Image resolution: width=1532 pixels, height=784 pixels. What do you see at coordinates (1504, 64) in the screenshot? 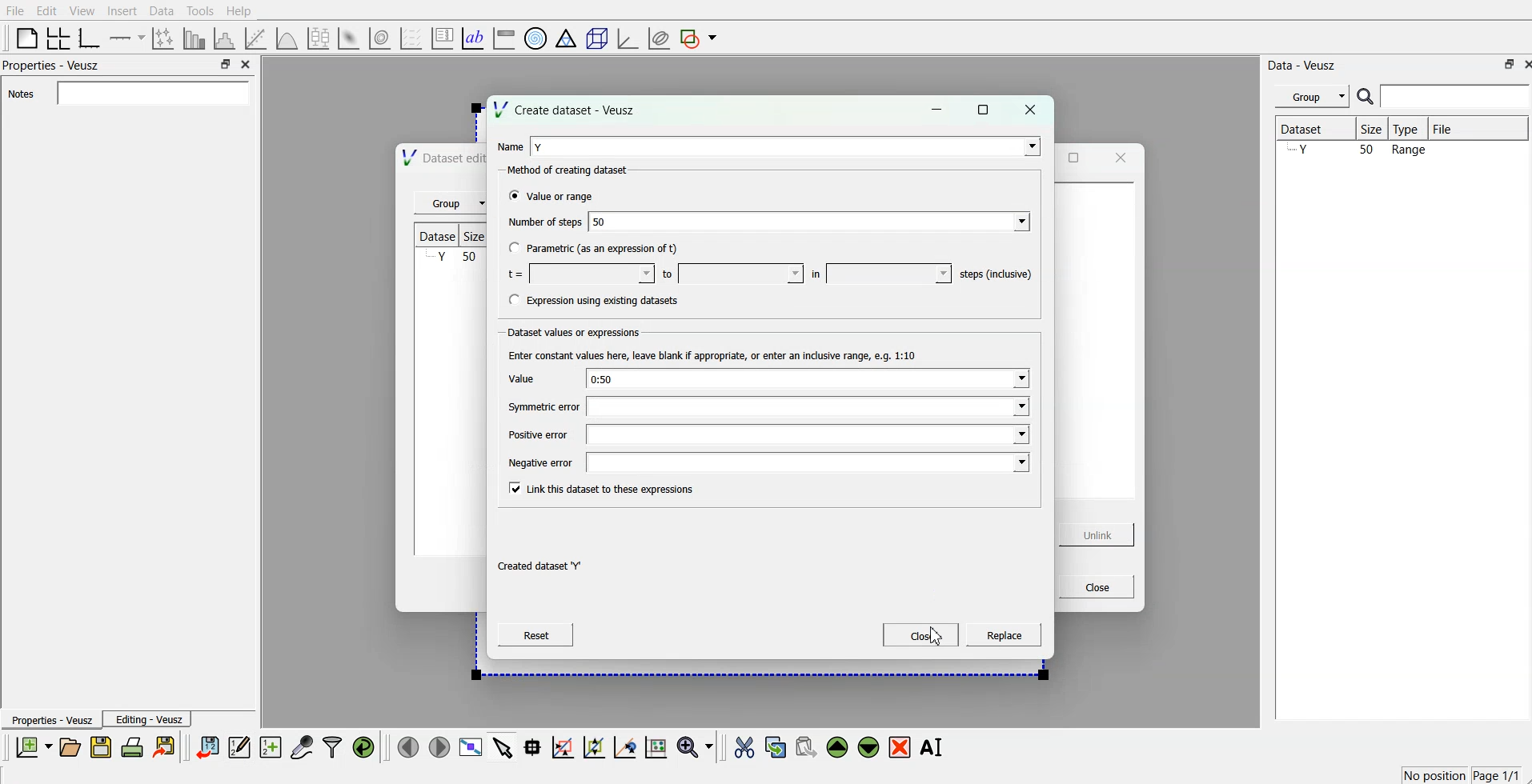
I see `minimise` at bounding box center [1504, 64].